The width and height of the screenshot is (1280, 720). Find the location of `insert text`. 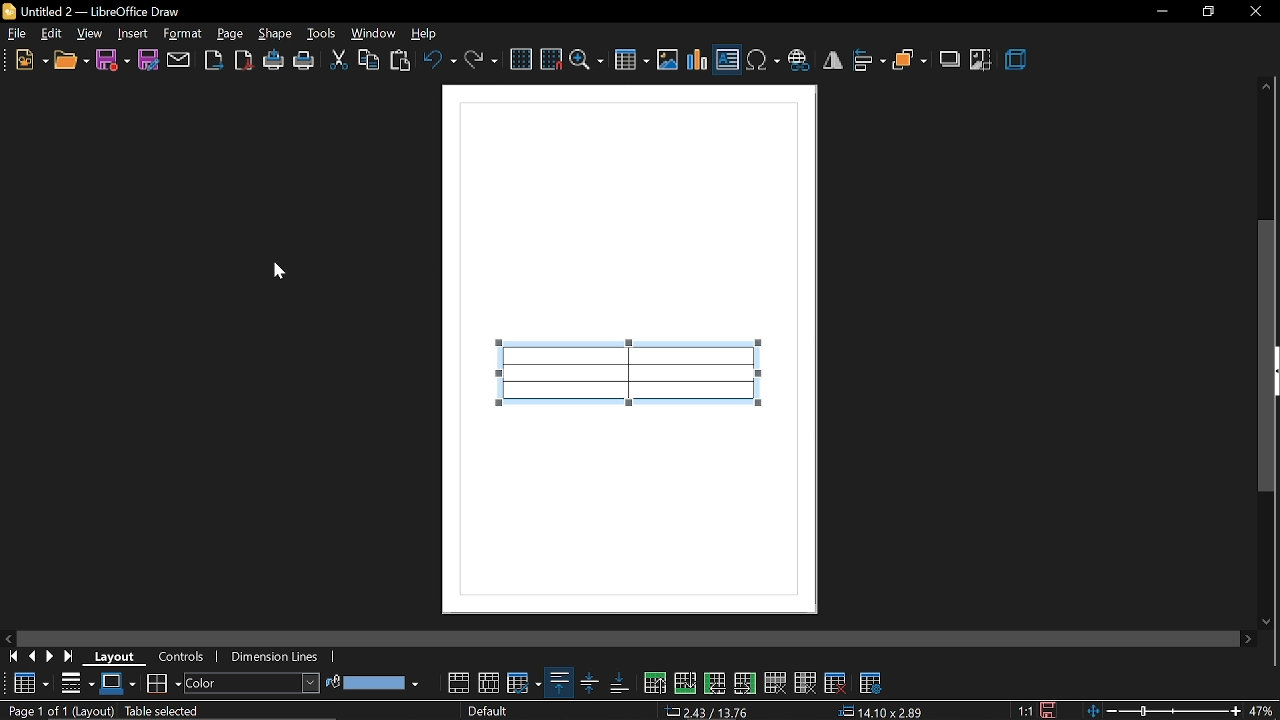

insert text is located at coordinates (728, 59).